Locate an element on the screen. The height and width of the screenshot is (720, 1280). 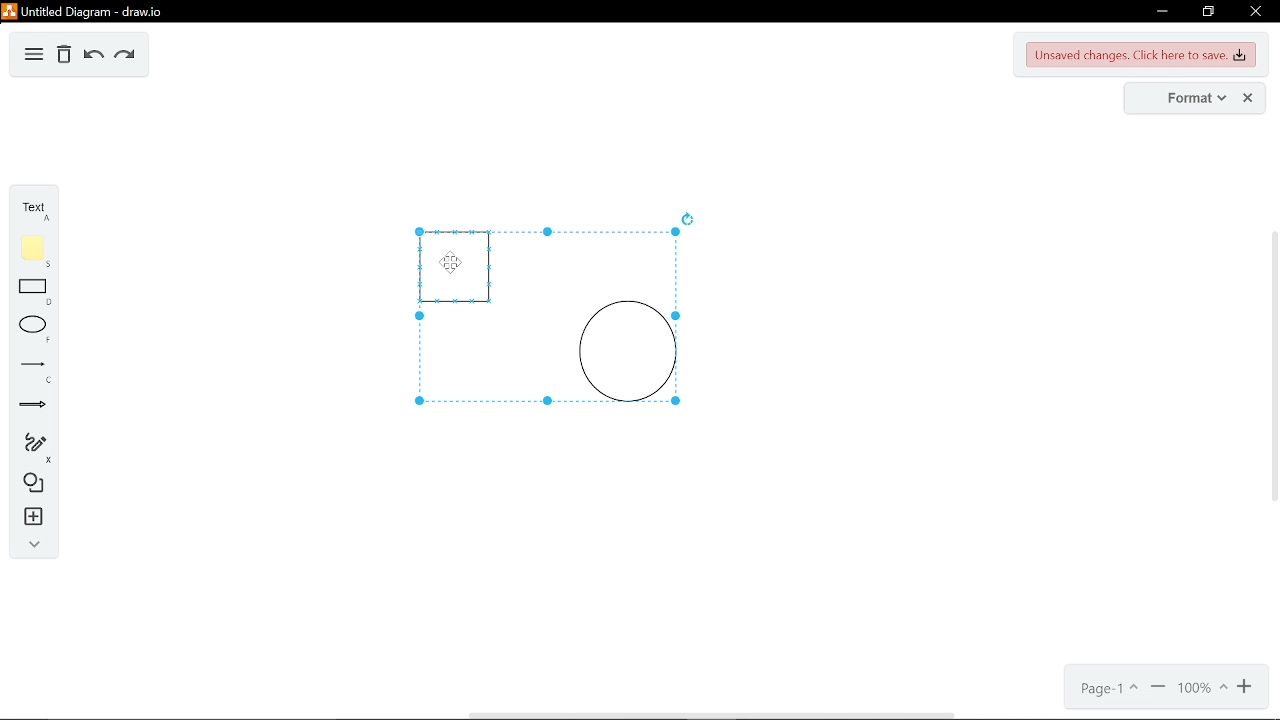
restore down is located at coordinates (1210, 12).